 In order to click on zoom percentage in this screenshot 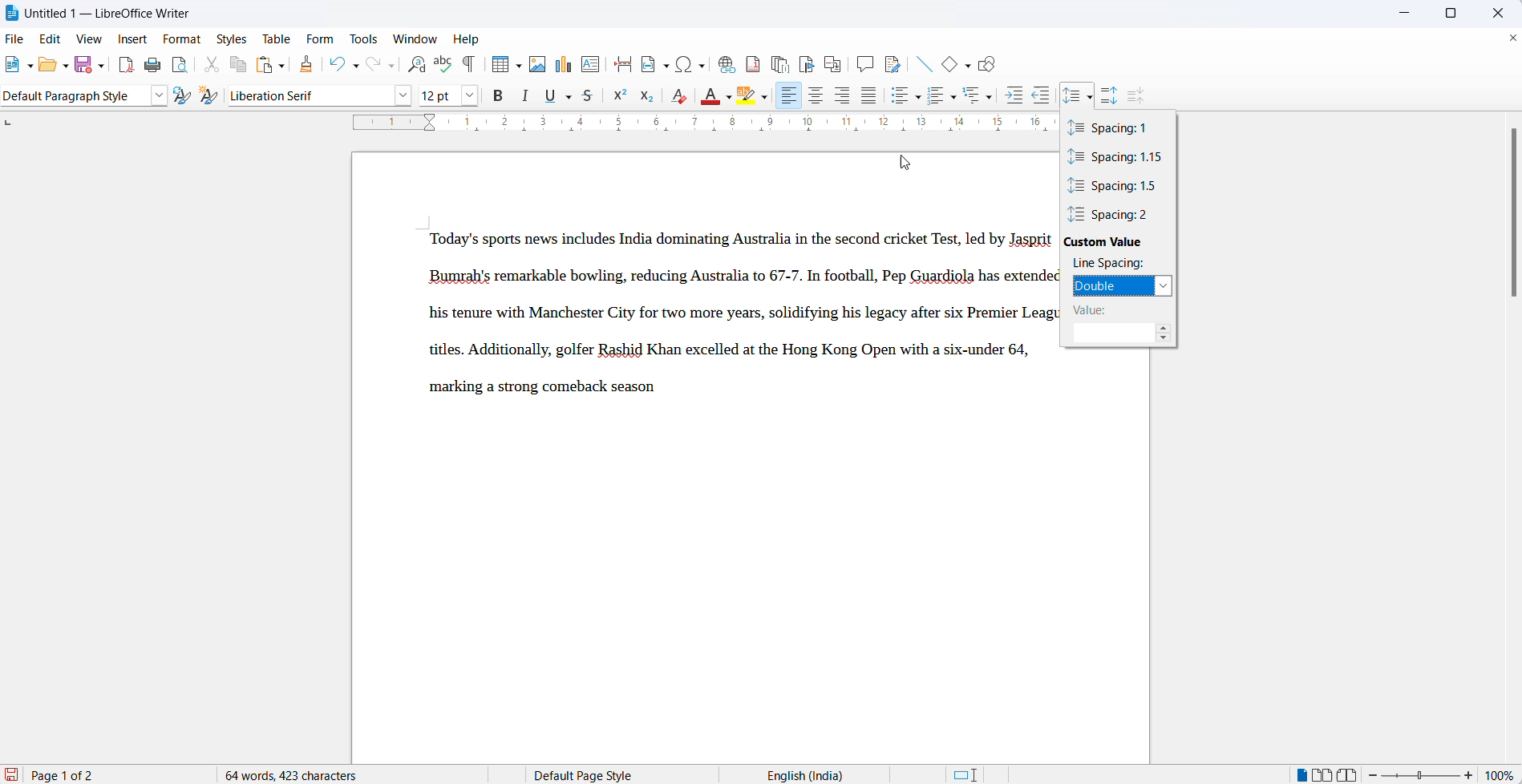, I will do `click(1502, 774)`.